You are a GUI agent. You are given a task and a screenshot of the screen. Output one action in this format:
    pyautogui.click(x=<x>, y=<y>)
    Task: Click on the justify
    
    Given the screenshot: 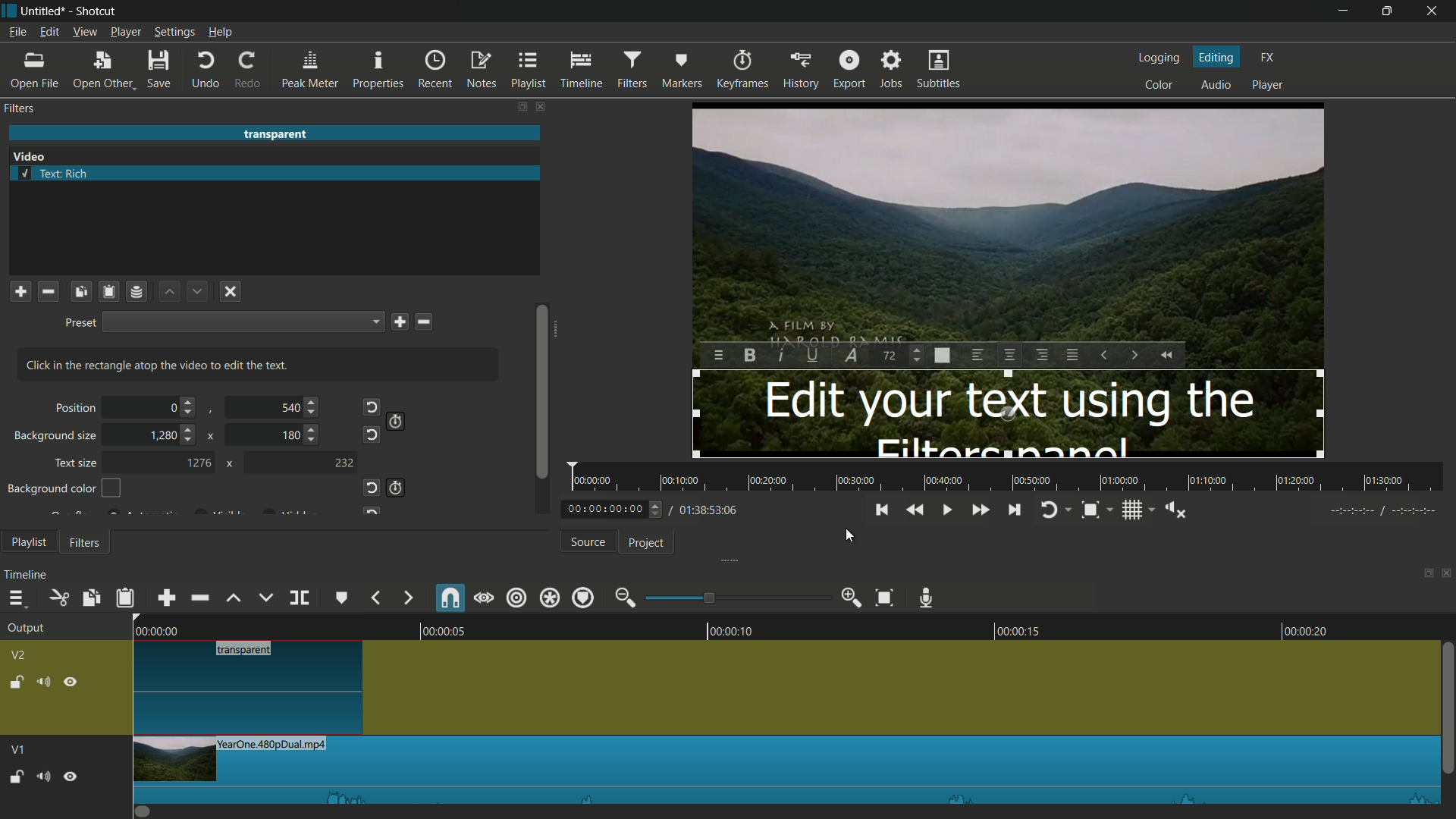 What is the action you would take?
    pyautogui.click(x=1073, y=355)
    